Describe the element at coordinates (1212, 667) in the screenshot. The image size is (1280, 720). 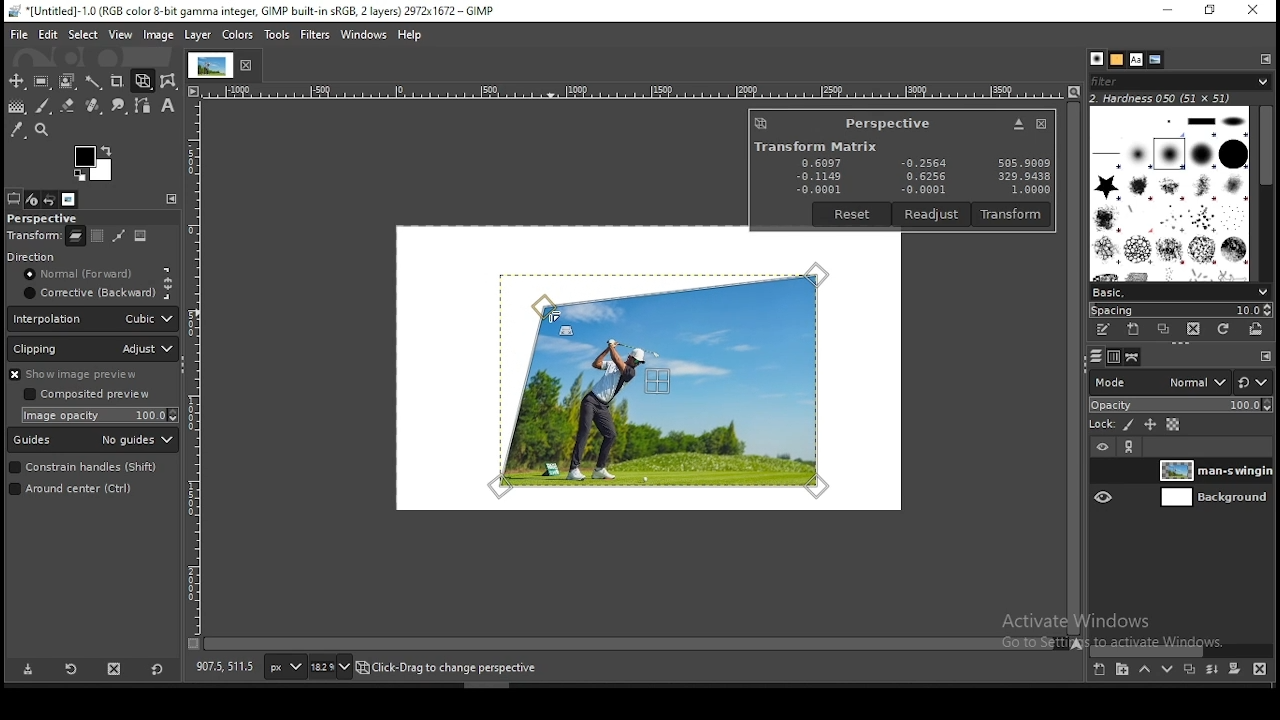
I see `merge layer` at that location.